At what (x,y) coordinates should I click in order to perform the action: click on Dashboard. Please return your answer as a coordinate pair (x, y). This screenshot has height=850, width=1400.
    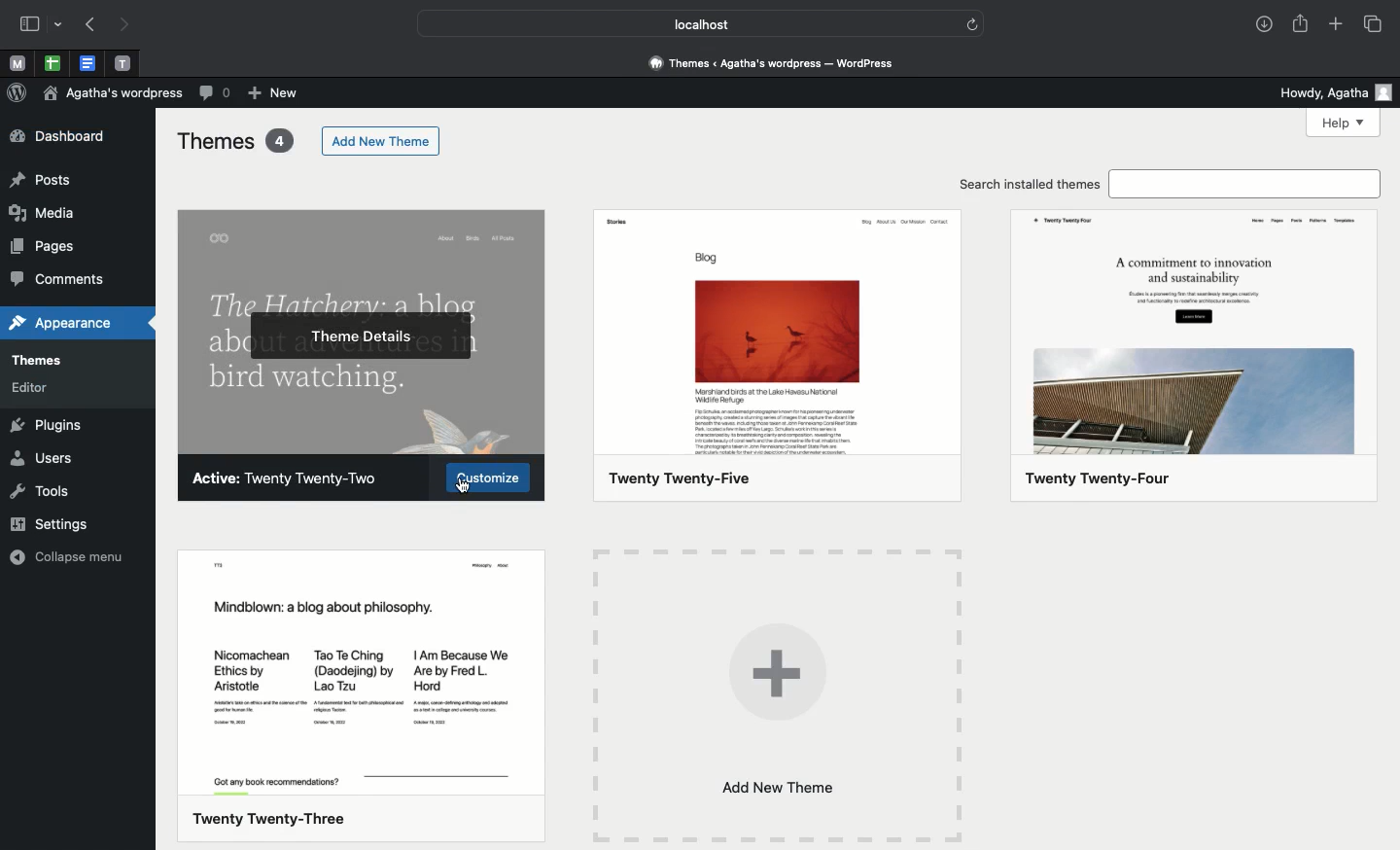
    Looking at the image, I should click on (69, 135).